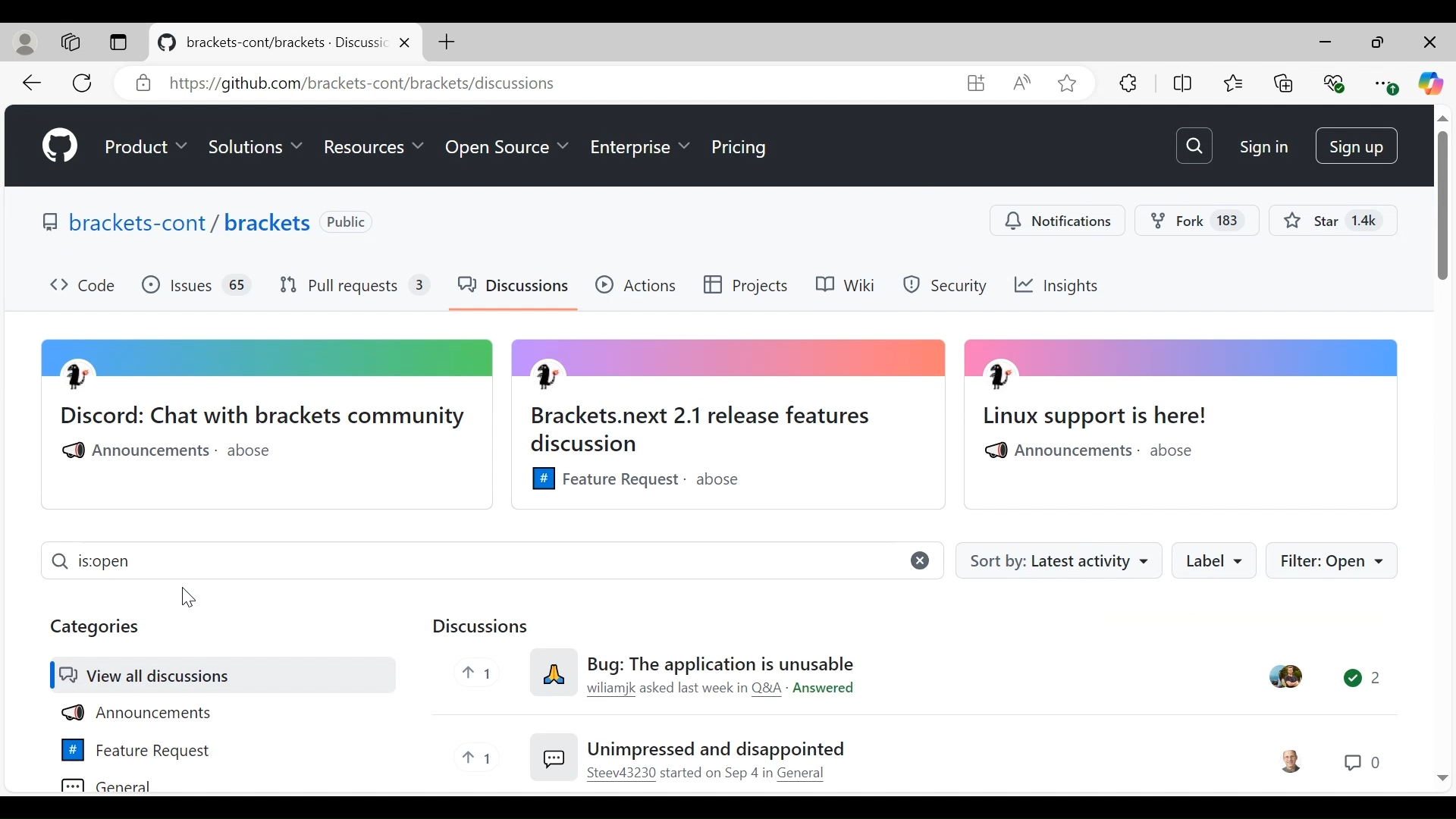 This screenshot has width=1456, height=819. What do you see at coordinates (148, 148) in the screenshot?
I see `Products` at bounding box center [148, 148].